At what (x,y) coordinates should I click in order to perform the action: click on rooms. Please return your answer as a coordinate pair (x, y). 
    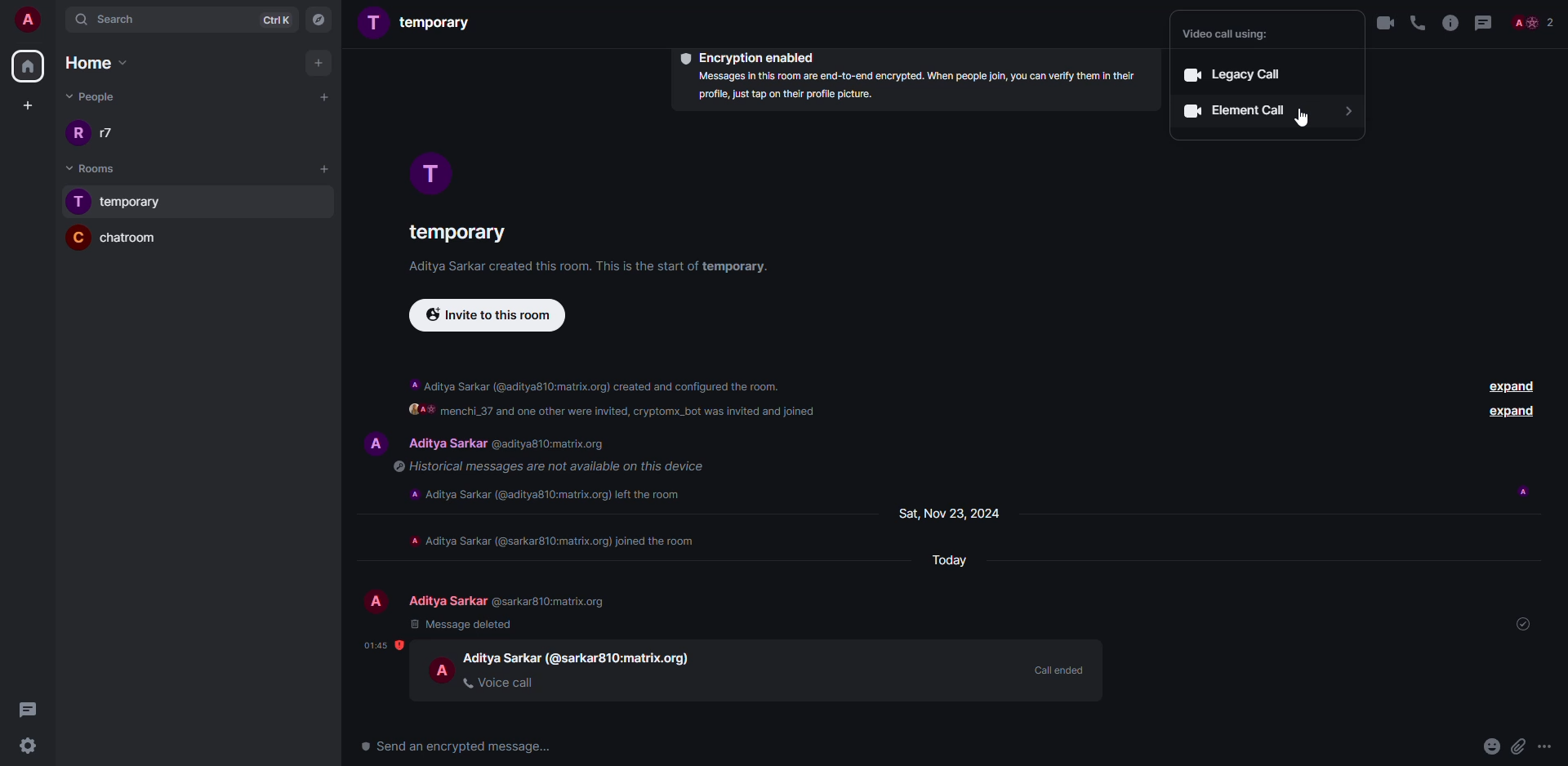
    Looking at the image, I should click on (82, 168).